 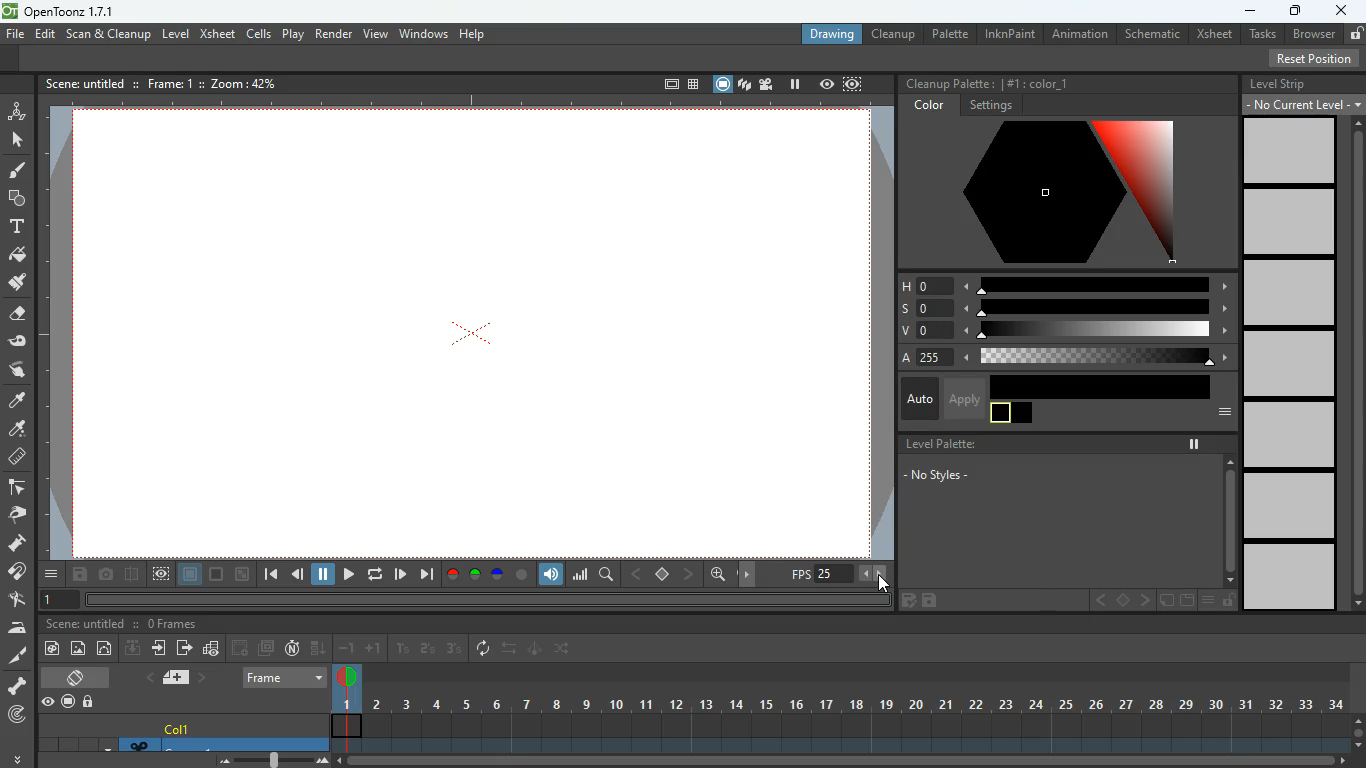 What do you see at coordinates (1095, 601) in the screenshot?
I see `left` at bounding box center [1095, 601].